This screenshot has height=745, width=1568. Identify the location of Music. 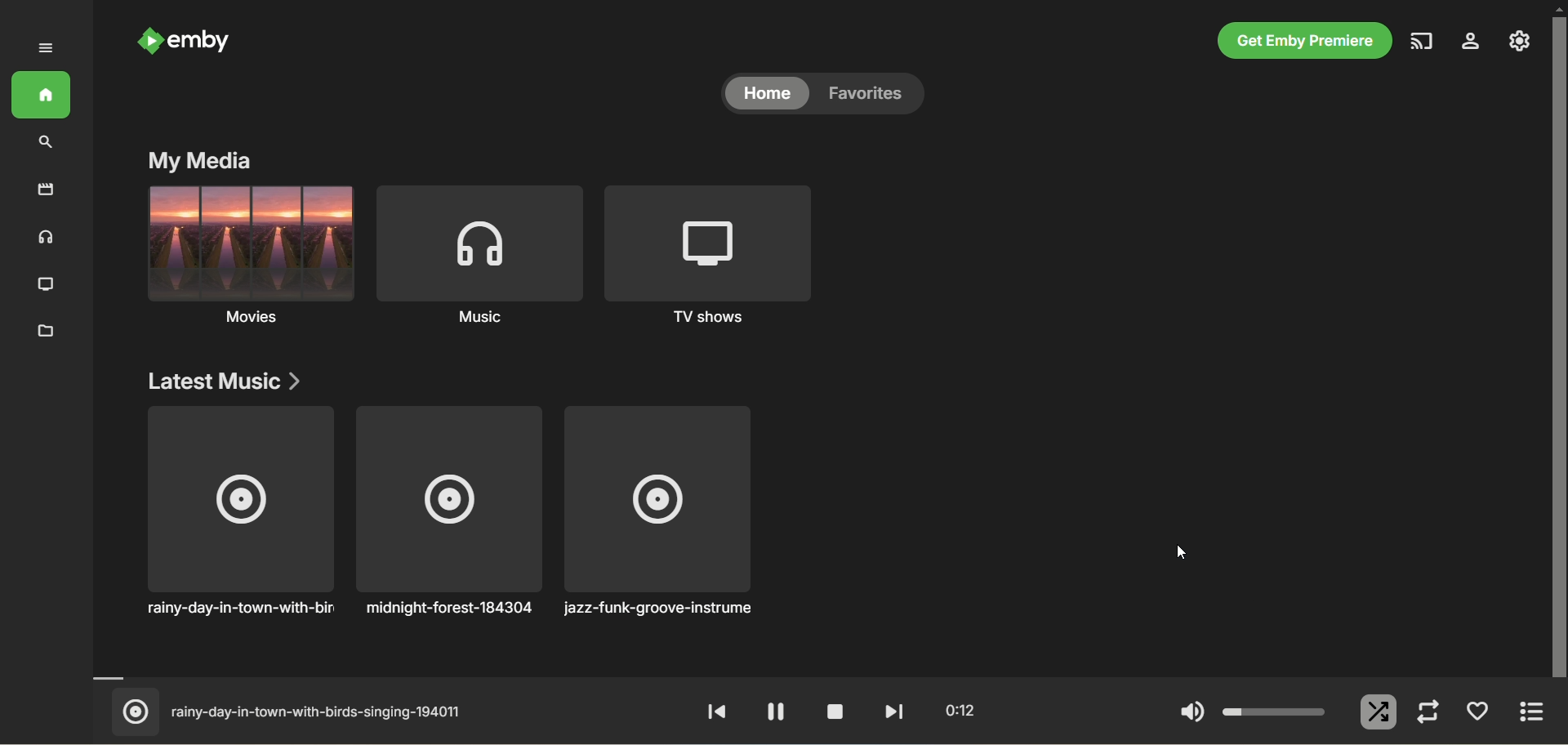
(251, 257).